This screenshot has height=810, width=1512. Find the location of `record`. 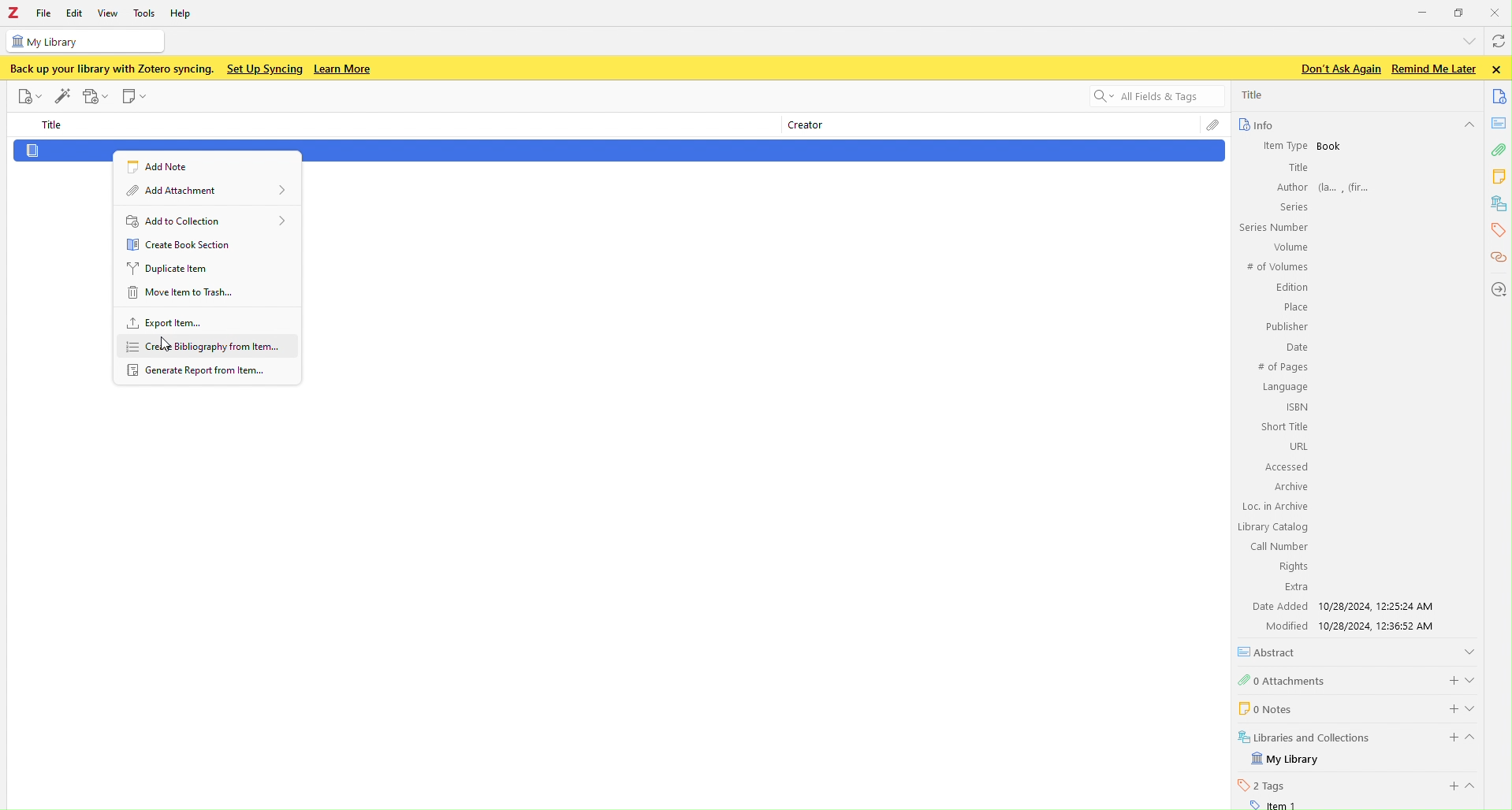

record is located at coordinates (96, 96).